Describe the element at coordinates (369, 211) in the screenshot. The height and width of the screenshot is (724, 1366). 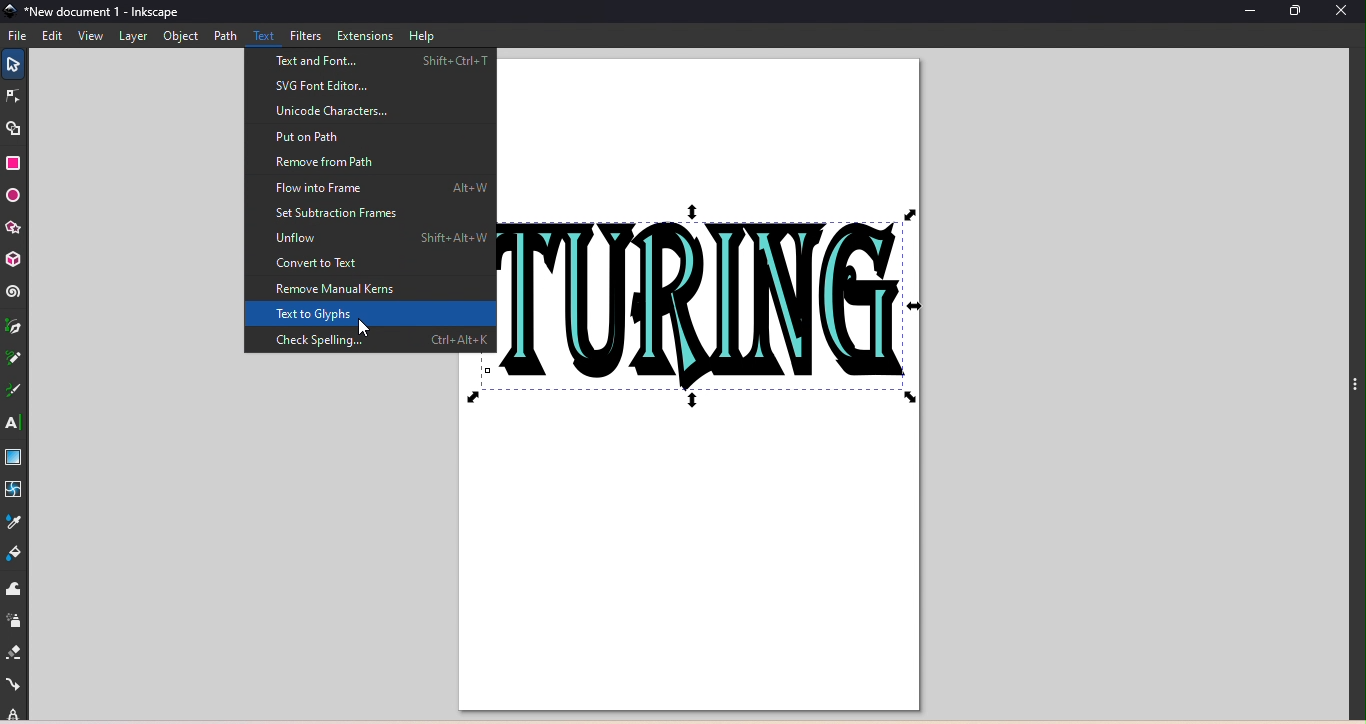
I see `Set subtraction frames` at that location.